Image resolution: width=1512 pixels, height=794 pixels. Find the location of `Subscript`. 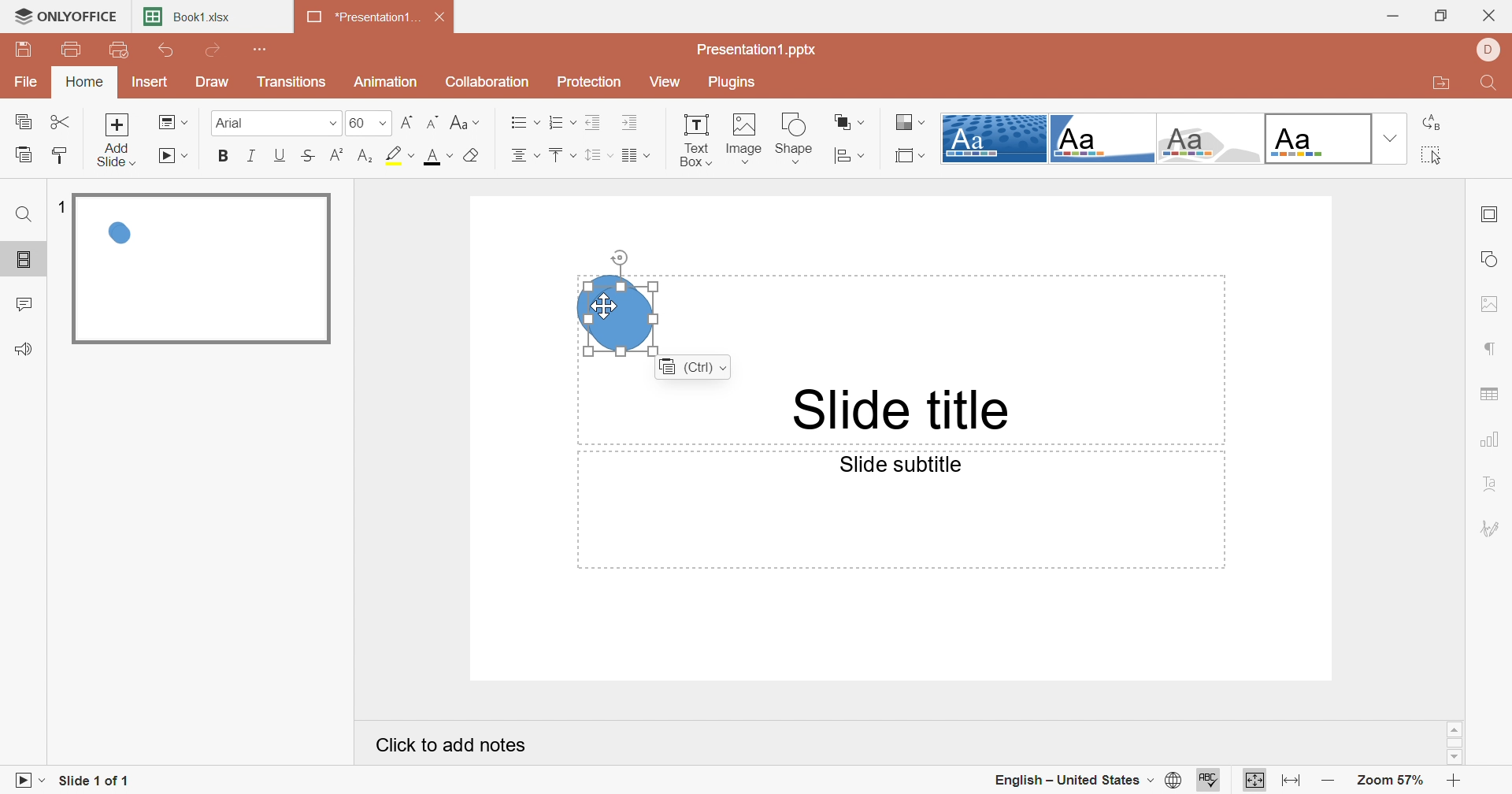

Subscript is located at coordinates (369, 155).